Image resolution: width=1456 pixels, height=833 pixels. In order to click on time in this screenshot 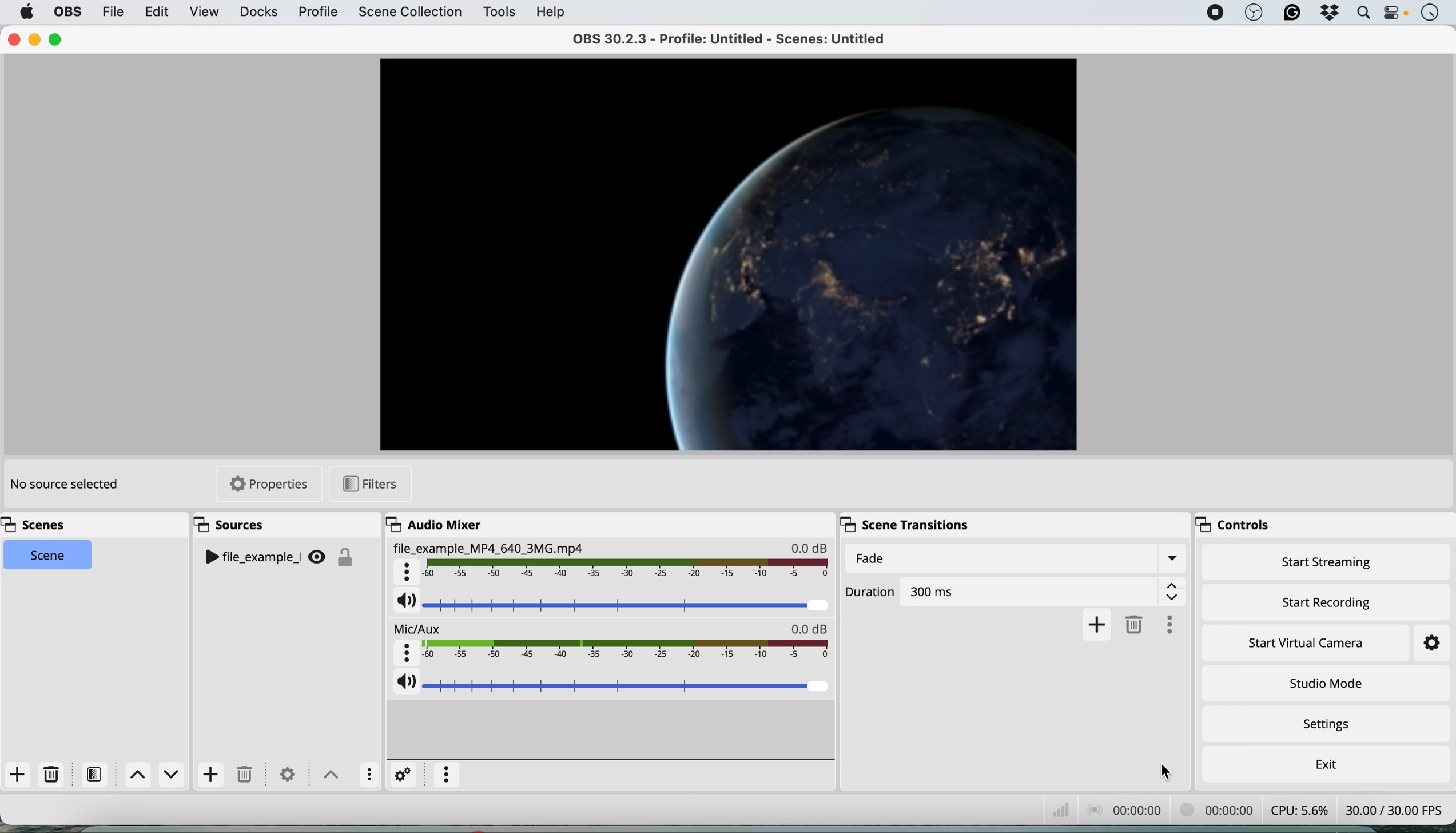, I will do `click(1430, 14)`.